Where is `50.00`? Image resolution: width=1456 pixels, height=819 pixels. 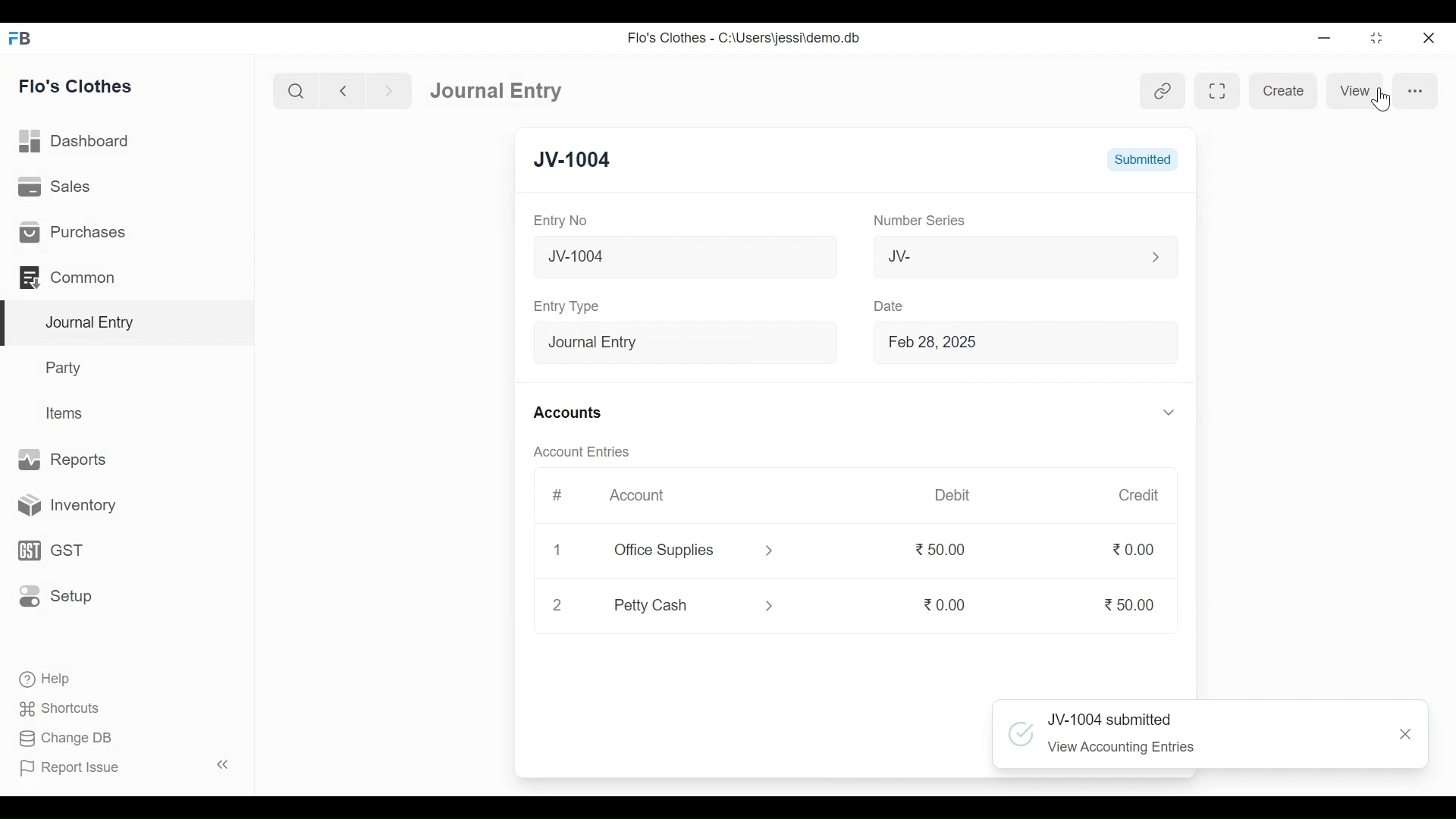 50.00 is located at coordinates (1119, 606).